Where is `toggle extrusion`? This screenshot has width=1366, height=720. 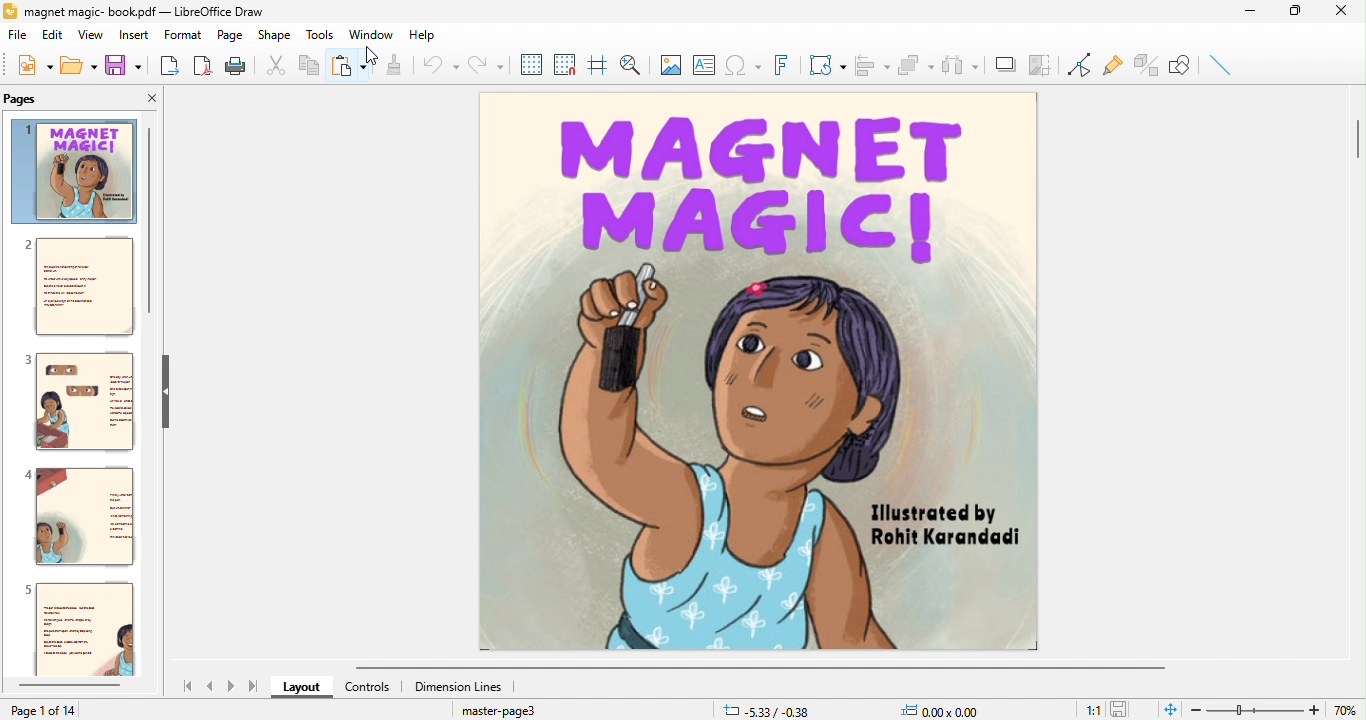
toggle extrusion is located at coordinates (1146, 65).